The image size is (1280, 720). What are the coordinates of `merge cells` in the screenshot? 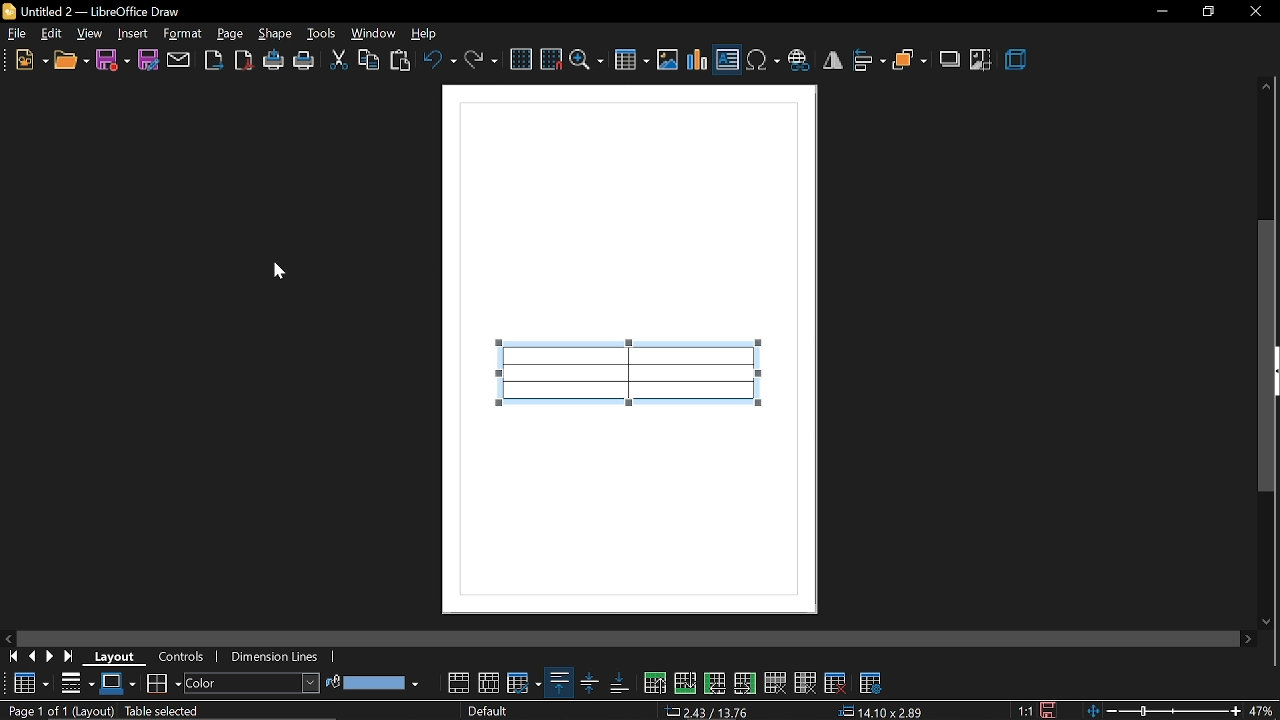 It's located at (459, 682).